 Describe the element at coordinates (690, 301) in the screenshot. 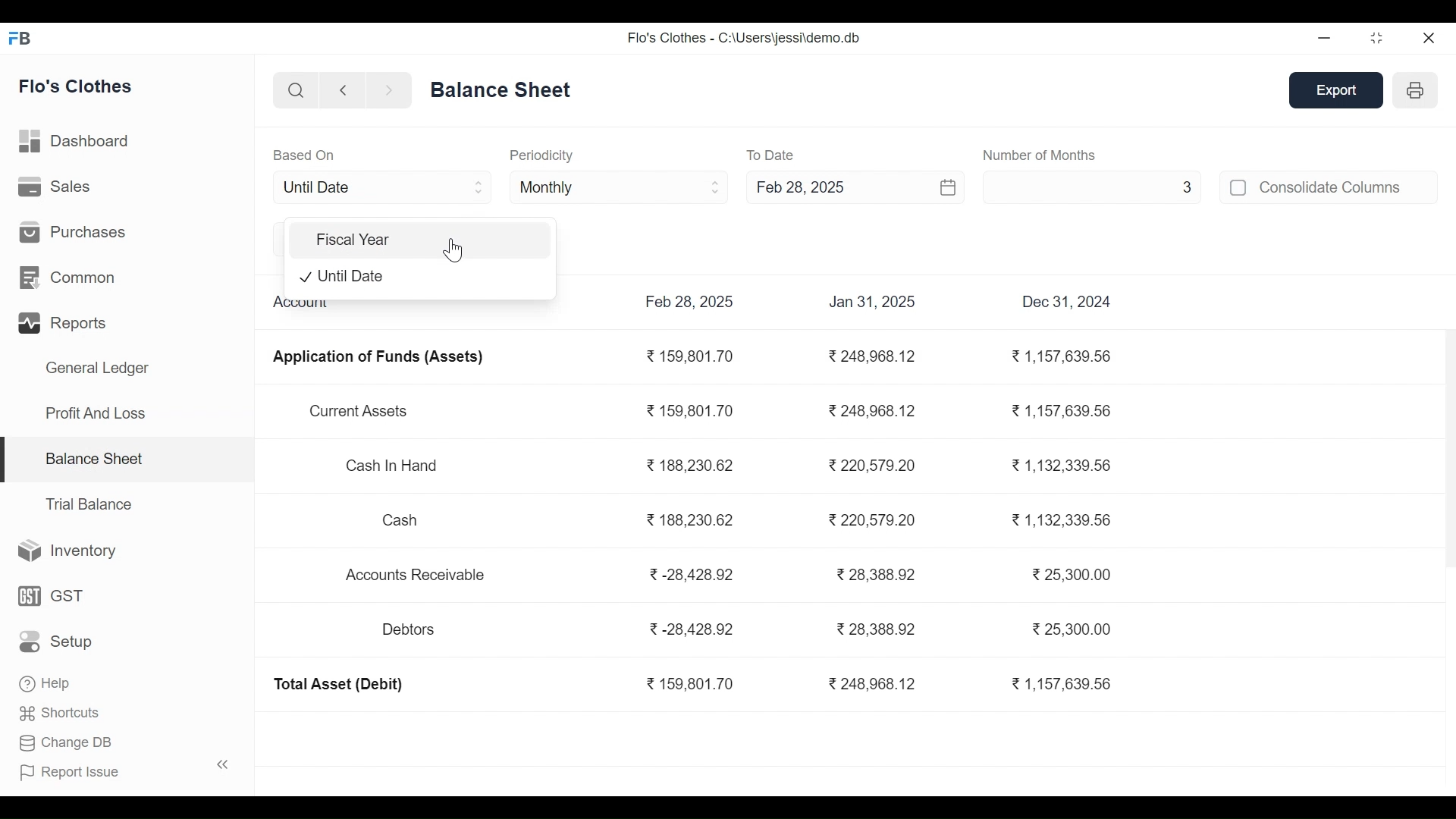

I see `Feb 28, 2025` at that location.